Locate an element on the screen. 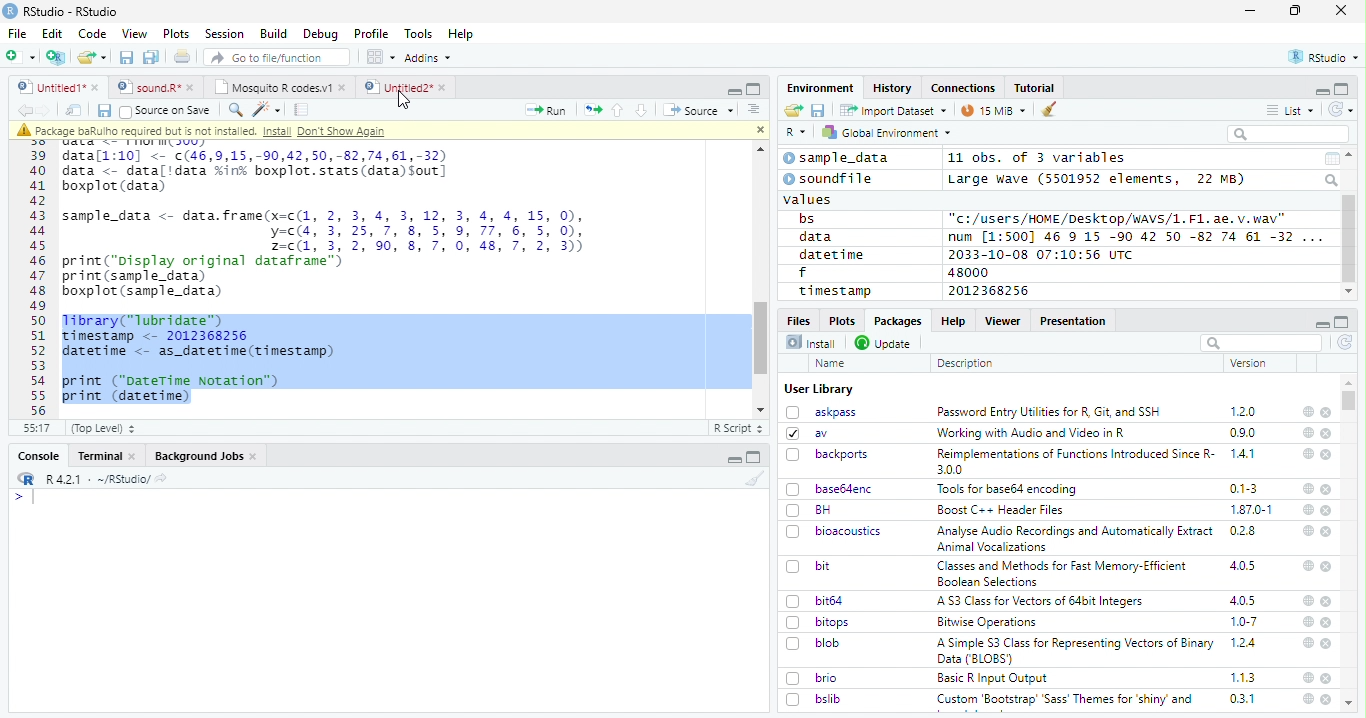 Image resolution: width=1366 pixels, height=718 pixels. close is located at coordinates (1326, 489).